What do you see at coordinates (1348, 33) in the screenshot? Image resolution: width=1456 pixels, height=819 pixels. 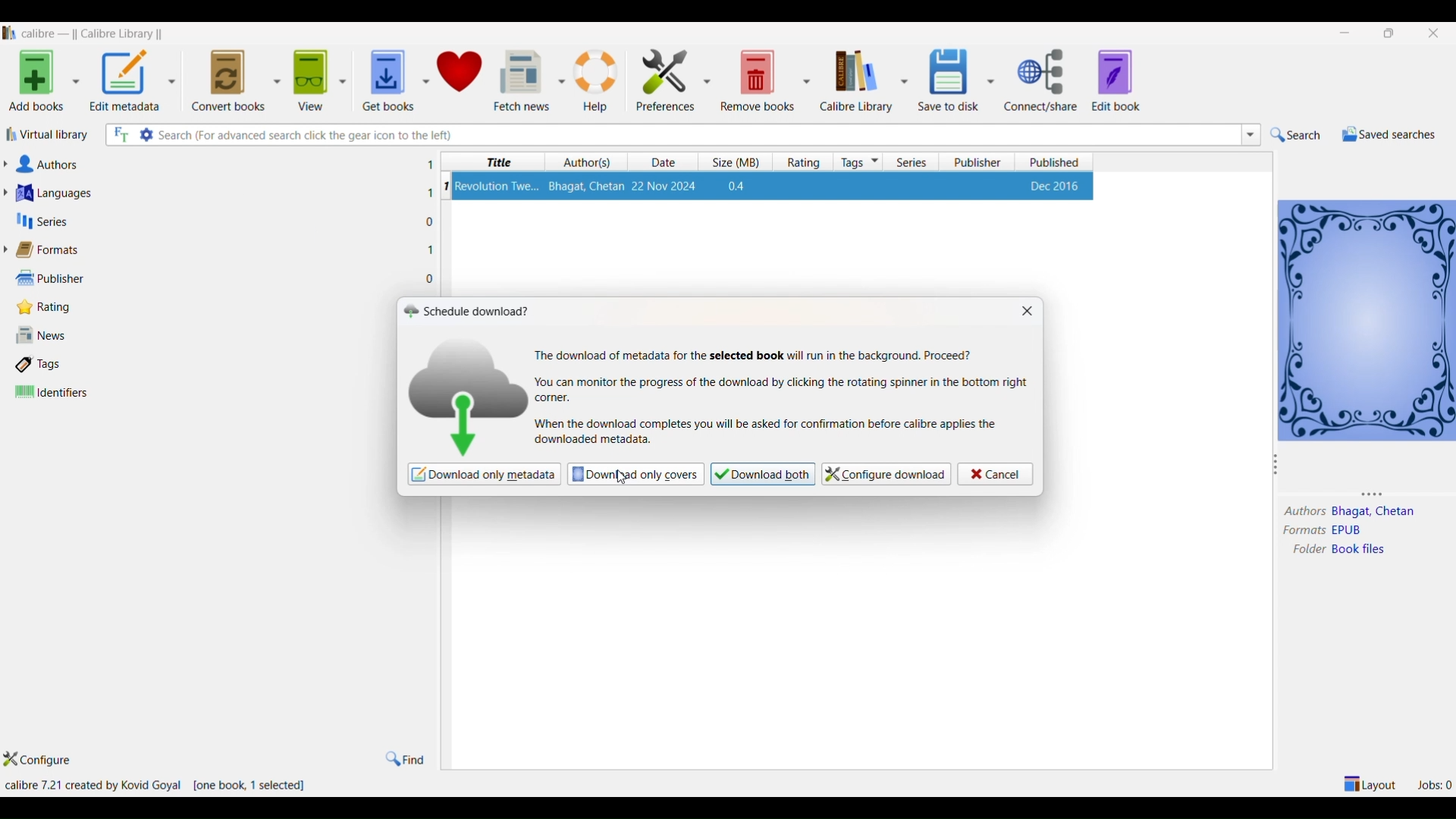 I see `minimize` at bounding box center [1348, 33].